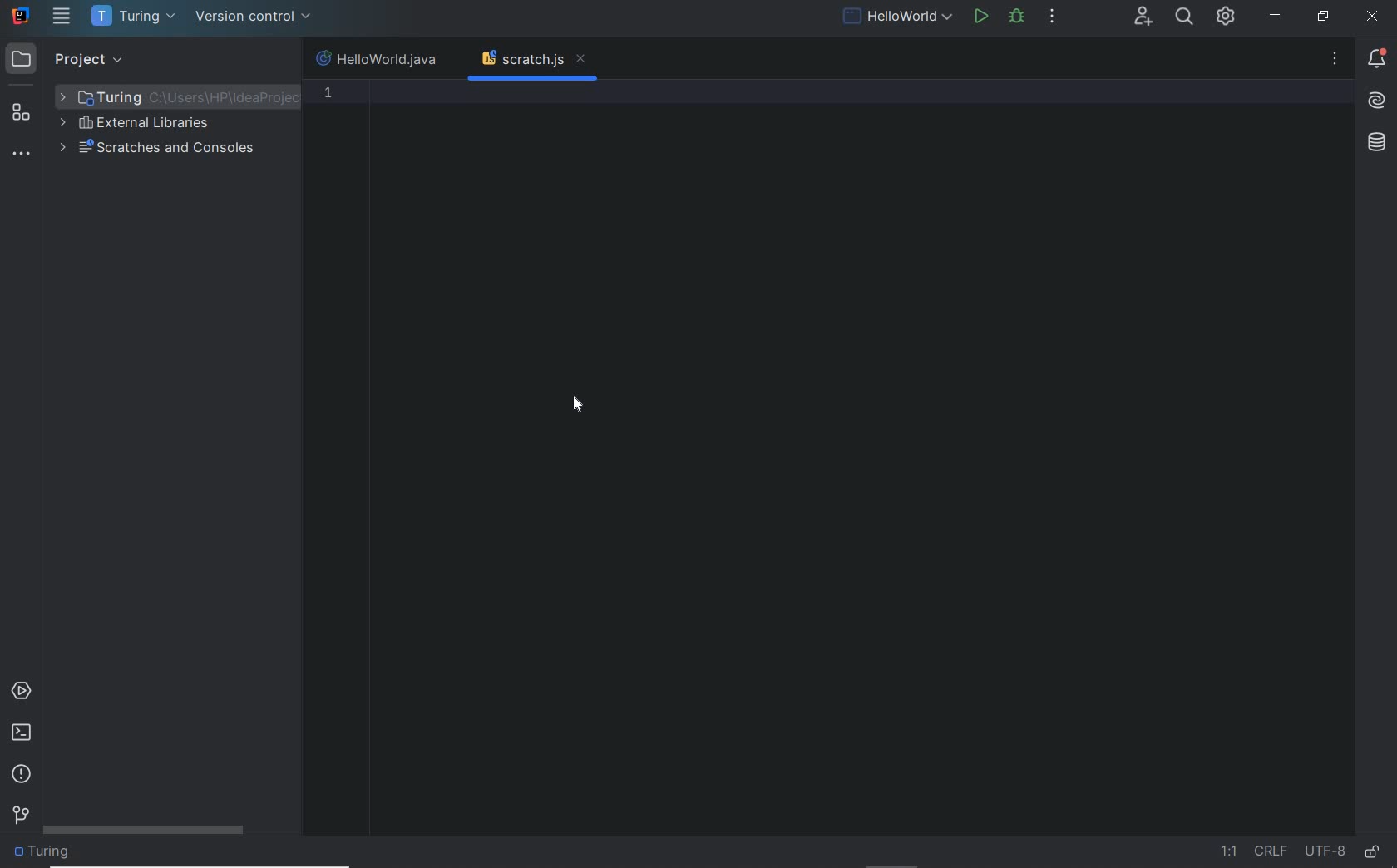 This screenshot has height=868, width=1397. What do you see at coordinates (22, 735) in the screenshot?
I see `terminal` at bounding box center [22, 735].